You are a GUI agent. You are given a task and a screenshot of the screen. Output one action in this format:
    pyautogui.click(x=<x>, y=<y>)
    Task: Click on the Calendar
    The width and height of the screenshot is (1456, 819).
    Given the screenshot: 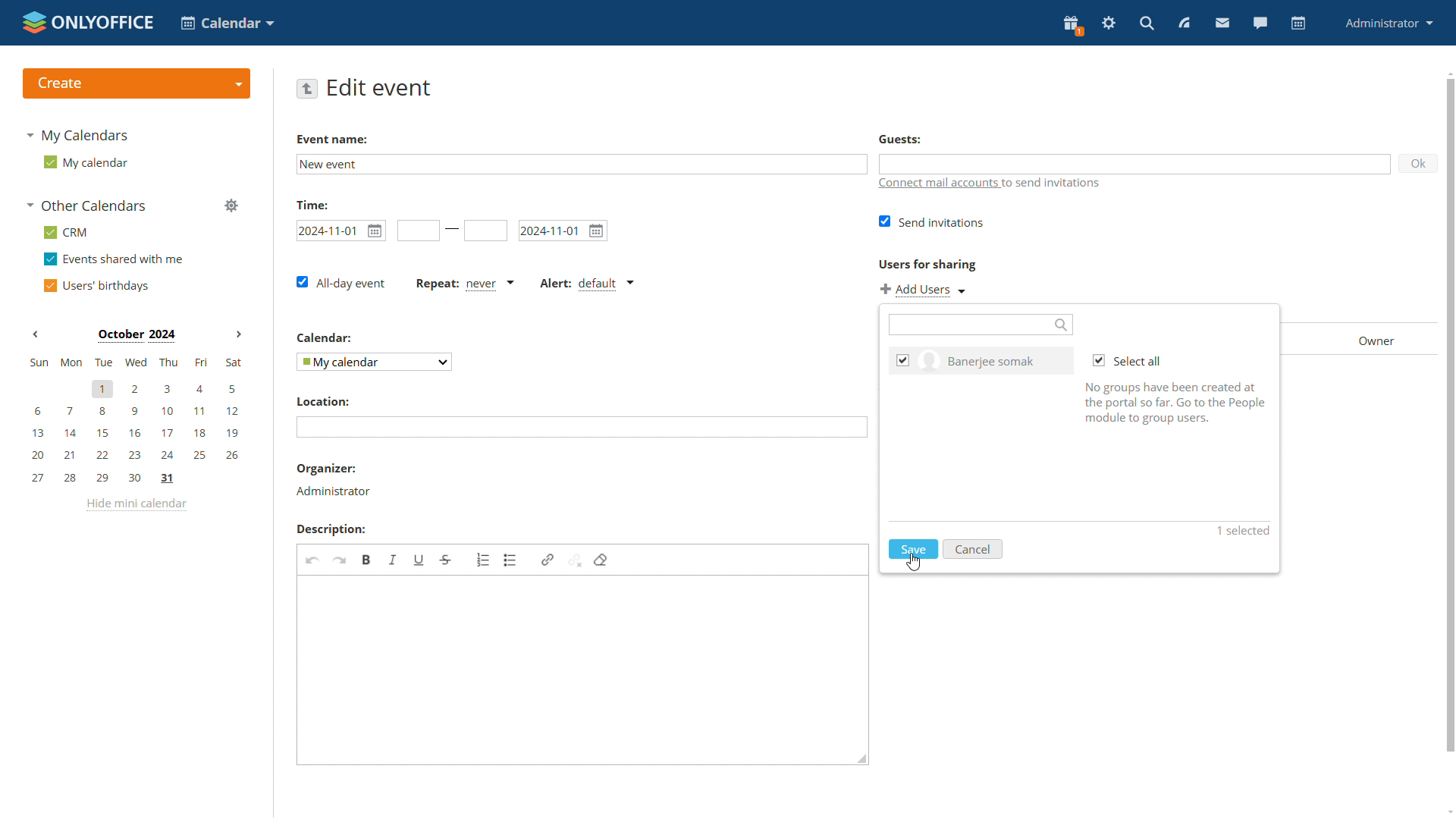 What is the action you would take?
    pyautogui.click(x=324, y=338)
    